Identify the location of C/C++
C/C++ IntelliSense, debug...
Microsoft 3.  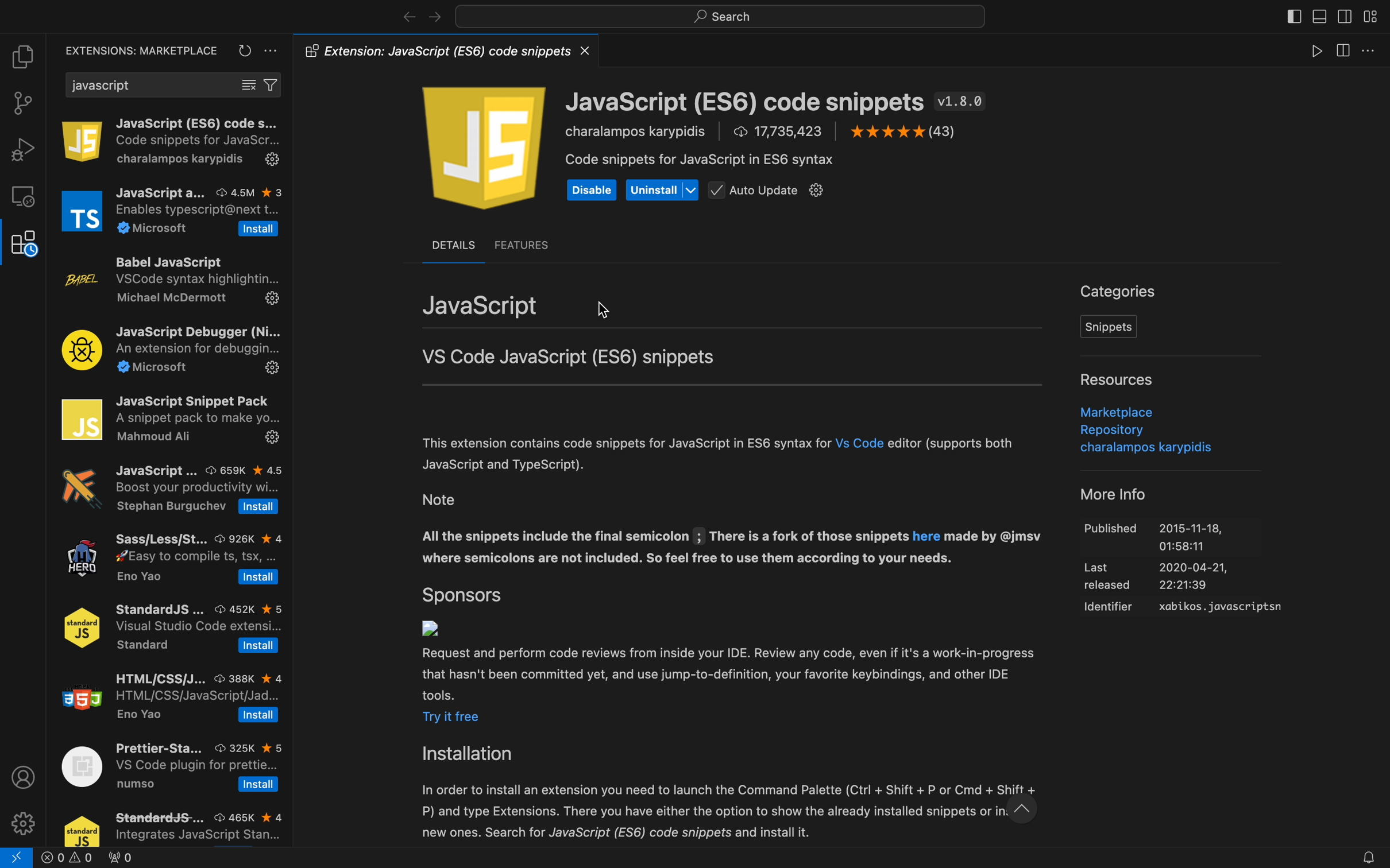
(167, 560).